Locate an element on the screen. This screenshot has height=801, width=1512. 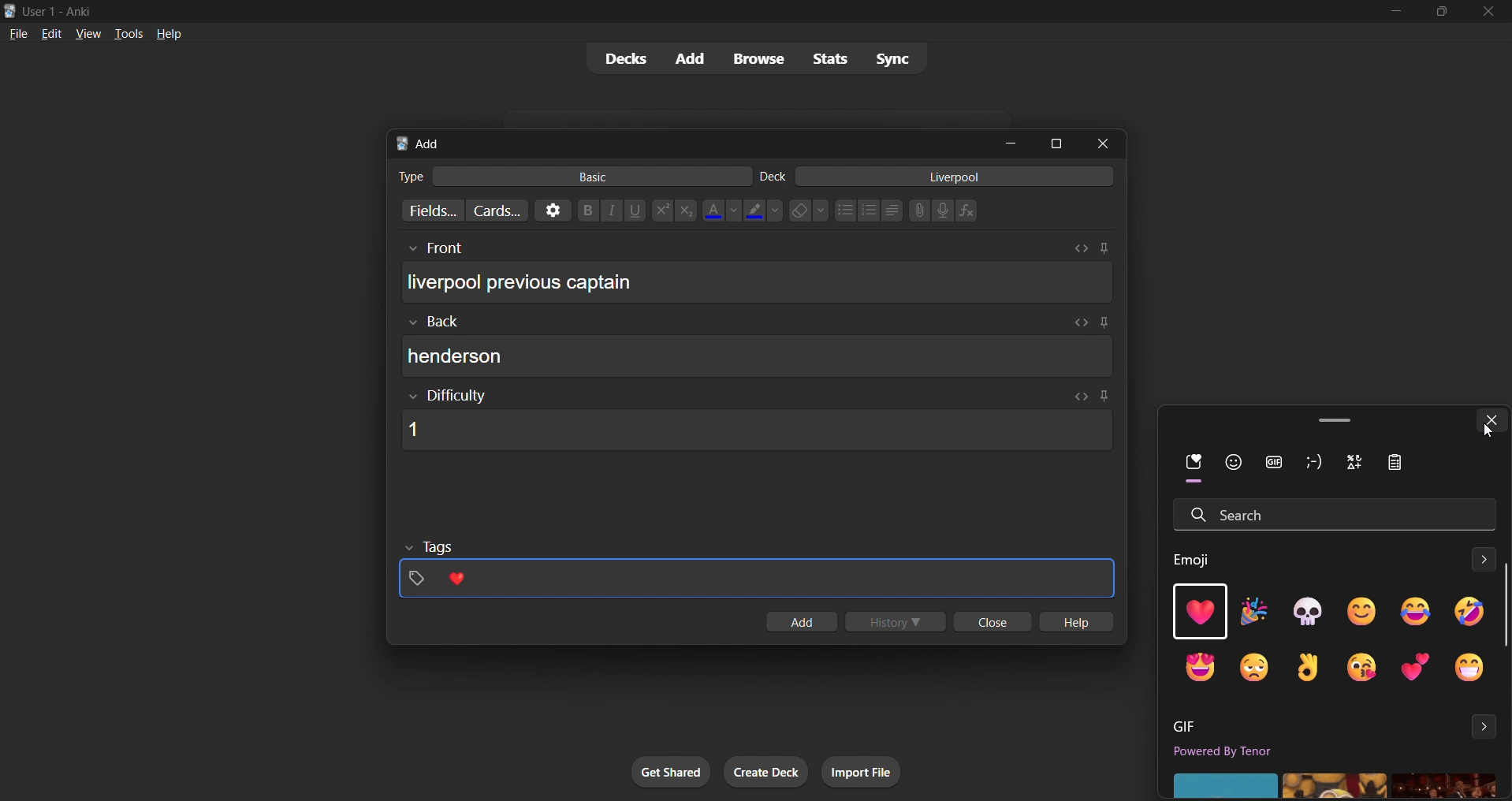
maximize/restore is located at coordinates (1442, 12).